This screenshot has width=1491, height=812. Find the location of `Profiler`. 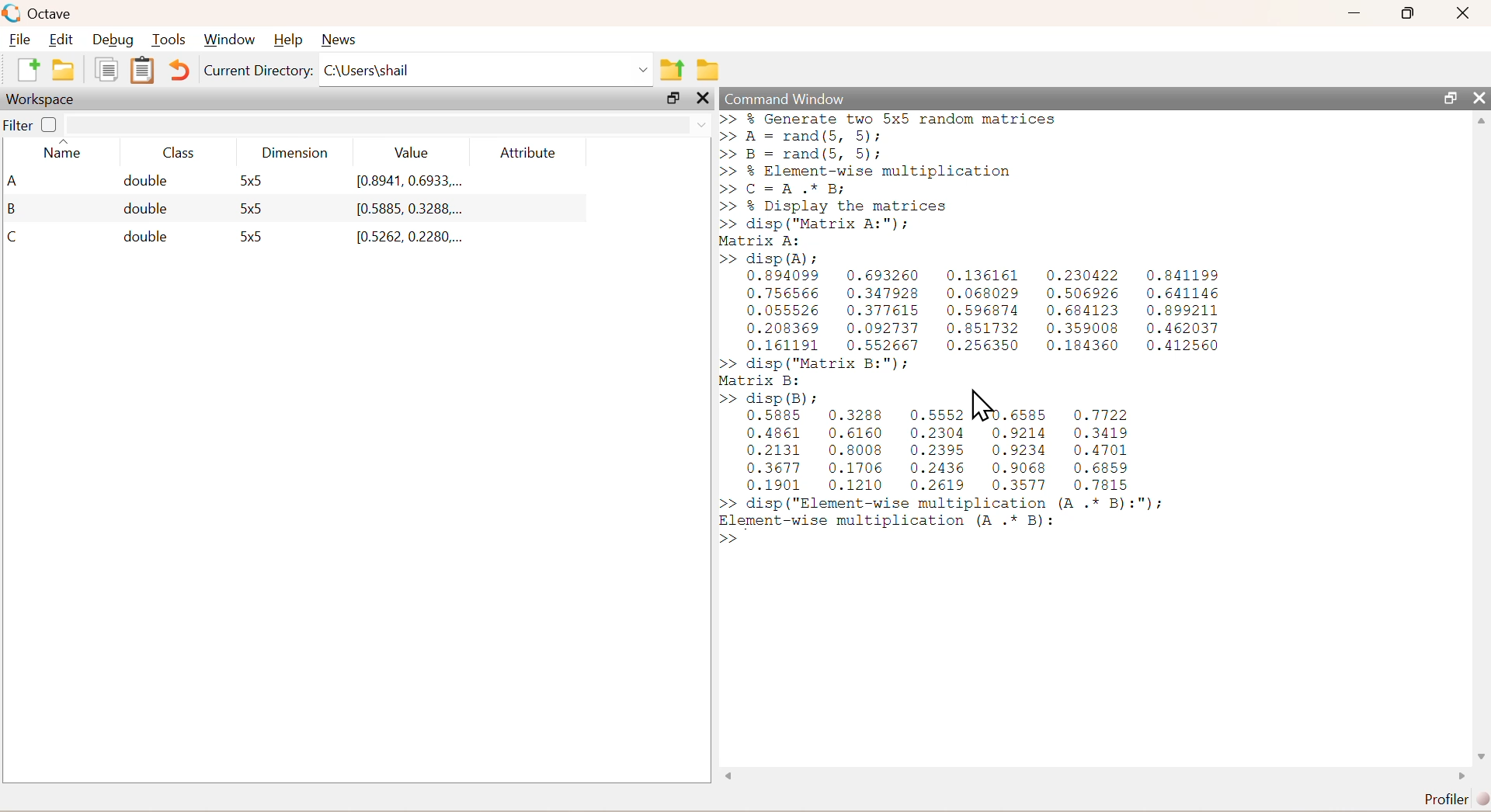

Profiler is located at coordinates (1448, 796).